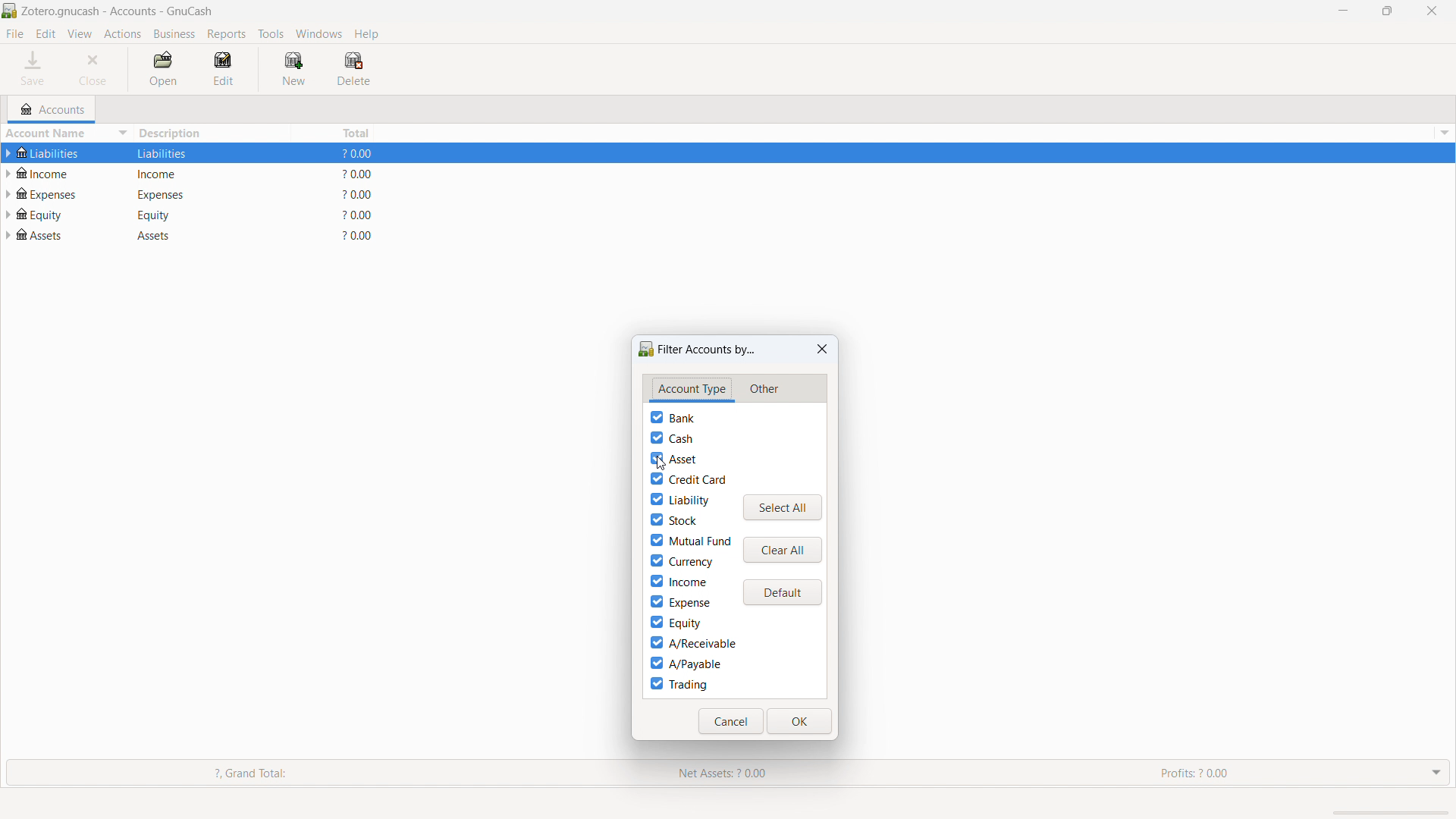 The height and width of the screenshot is (819, 1456). Describe the element at coordinates (163, 70) in the screenshot. I see `open` at that location.